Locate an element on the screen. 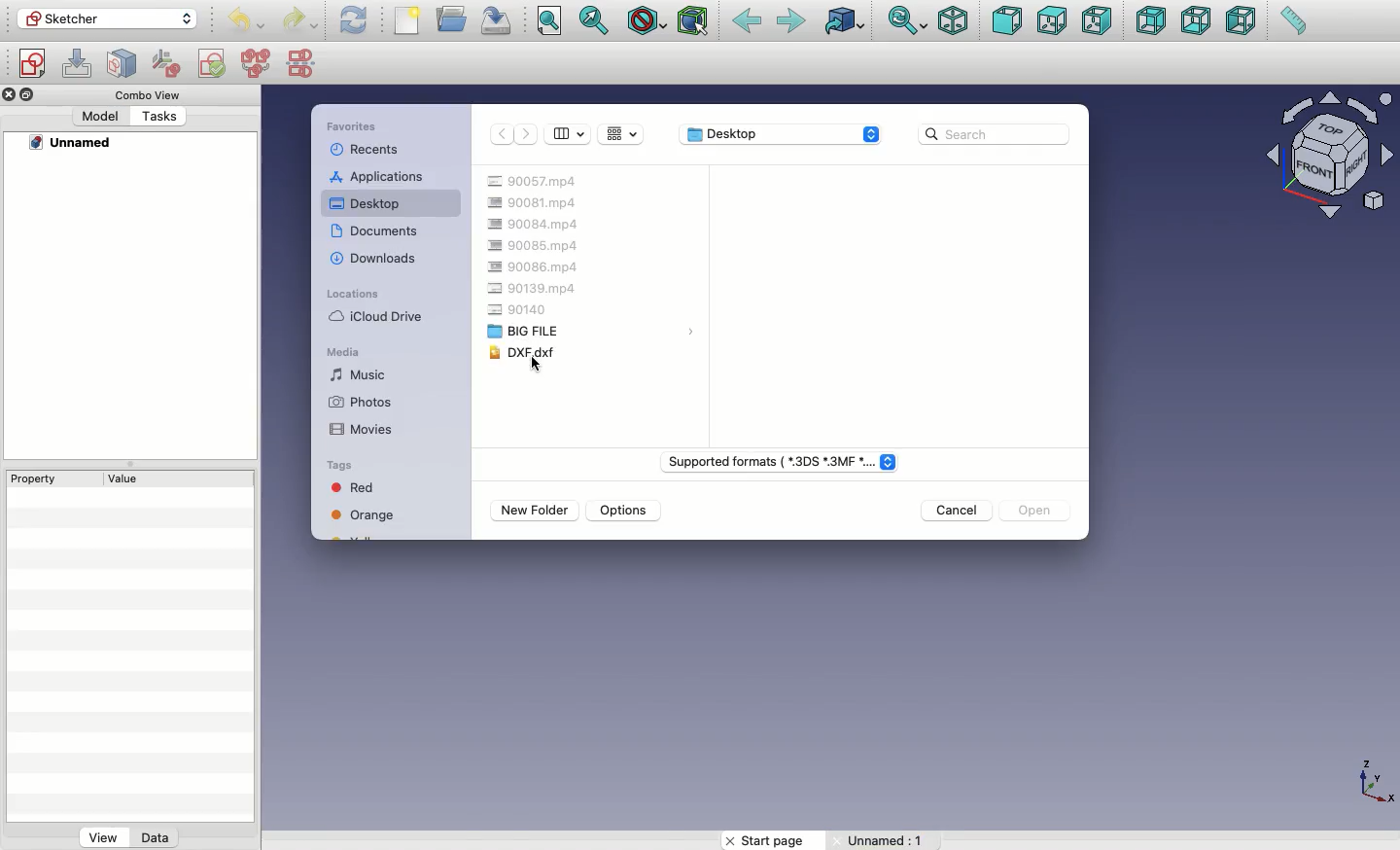 The image size is (1400, 850). Merge sketches is located at coordinates (256, 64).